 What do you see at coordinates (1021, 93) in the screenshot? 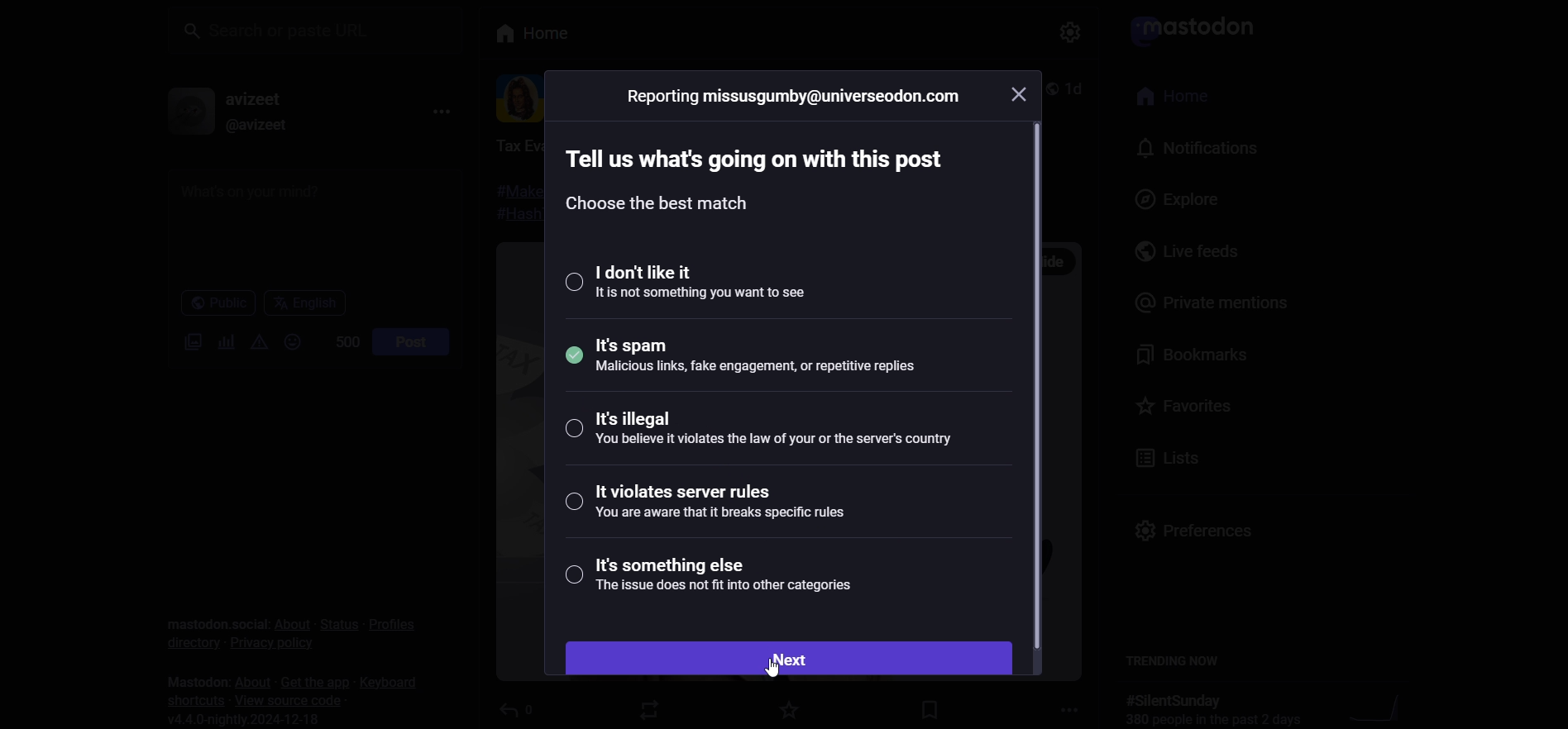
I see `close` at bounding box center [1021, 93].